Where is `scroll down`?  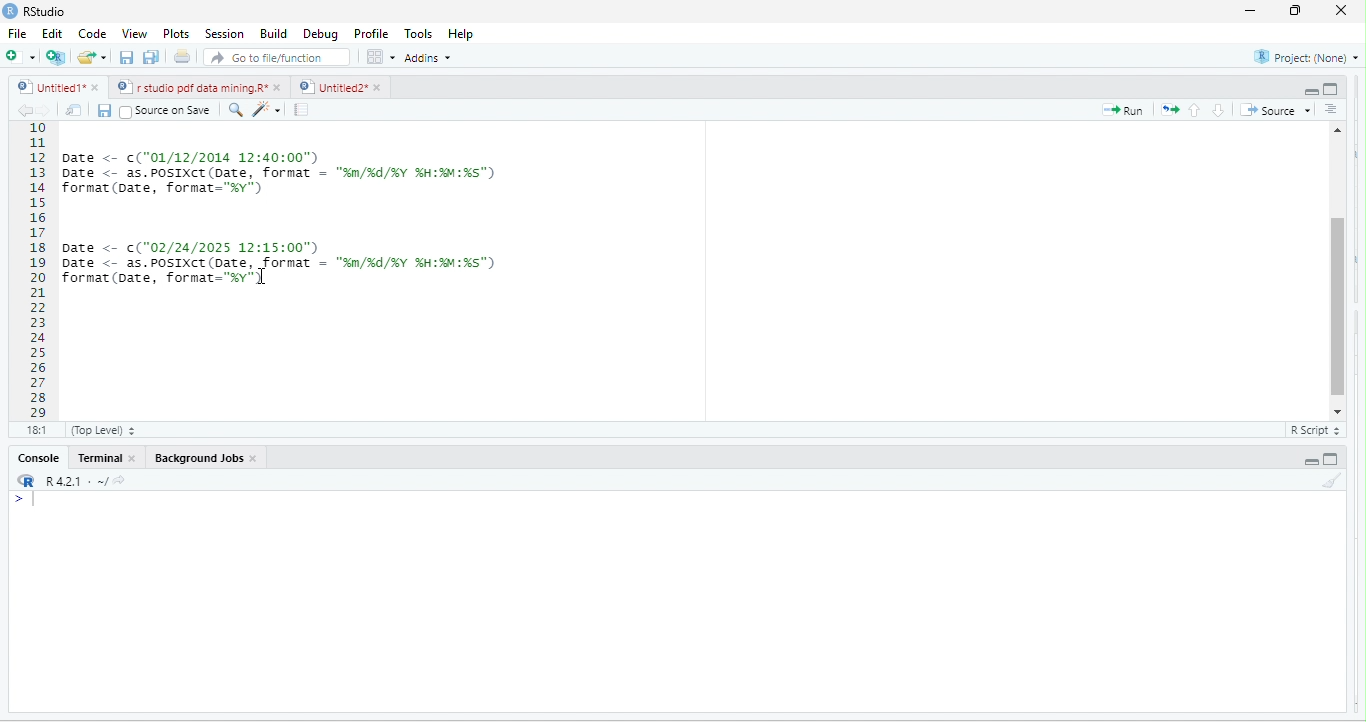
scroll down is located at coordinates (1337, 411).